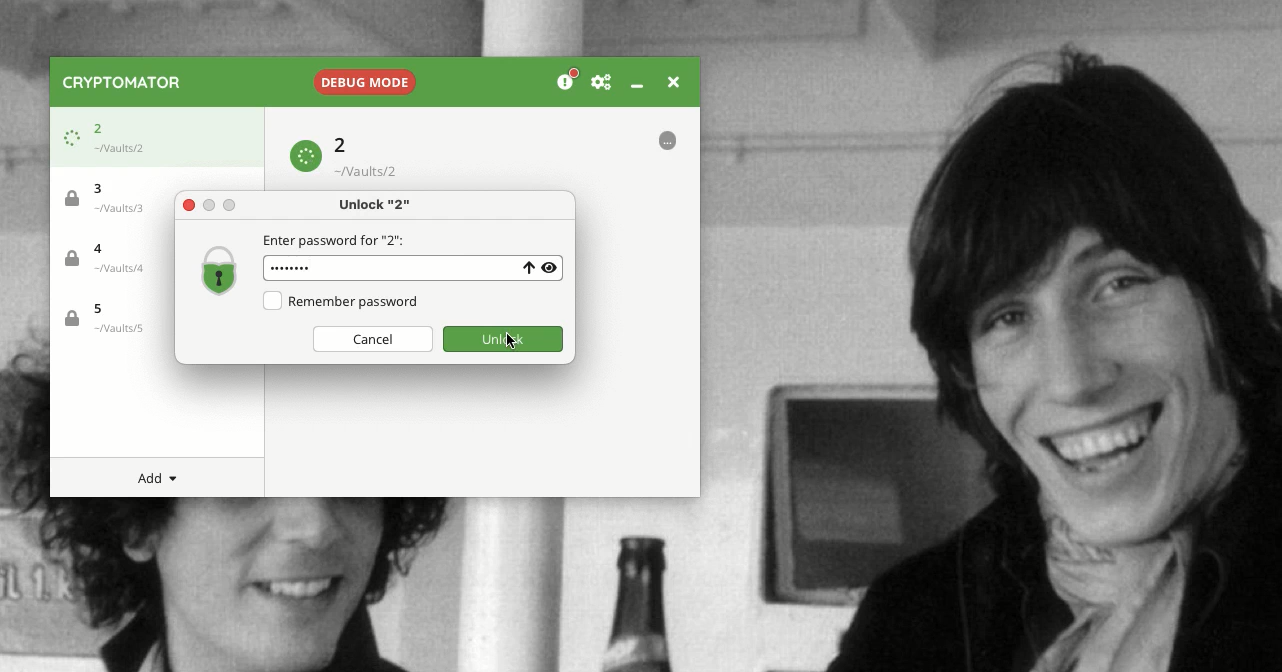  Describe the element at coordinates (355, 301) in the screenshot. I see `Remember password` at that location.